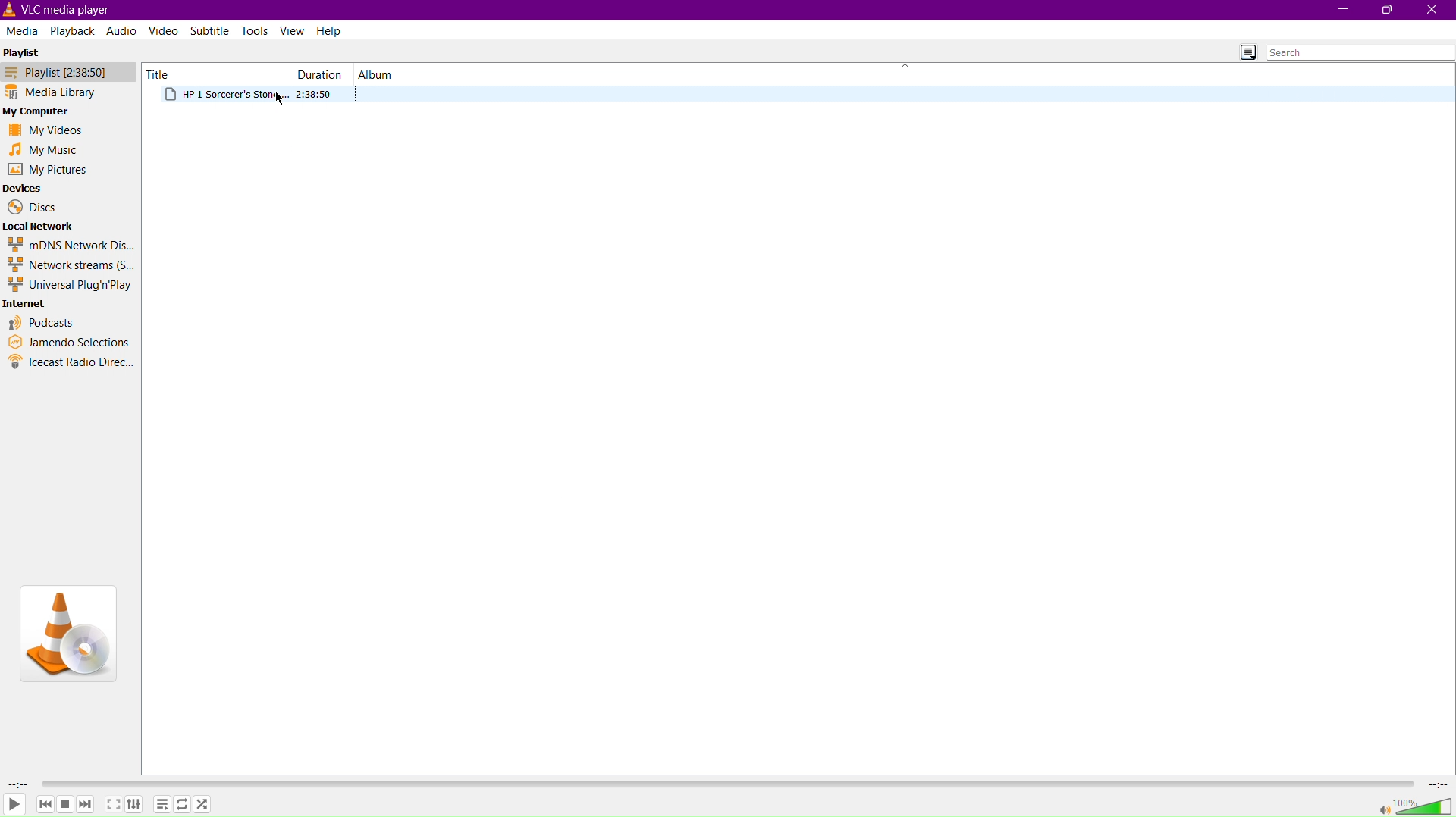 The height and width of the screenshot is (817, 1456). Describe the element at coordinates (63, 10) in the screenshot. I see `VLC media player` at that location.